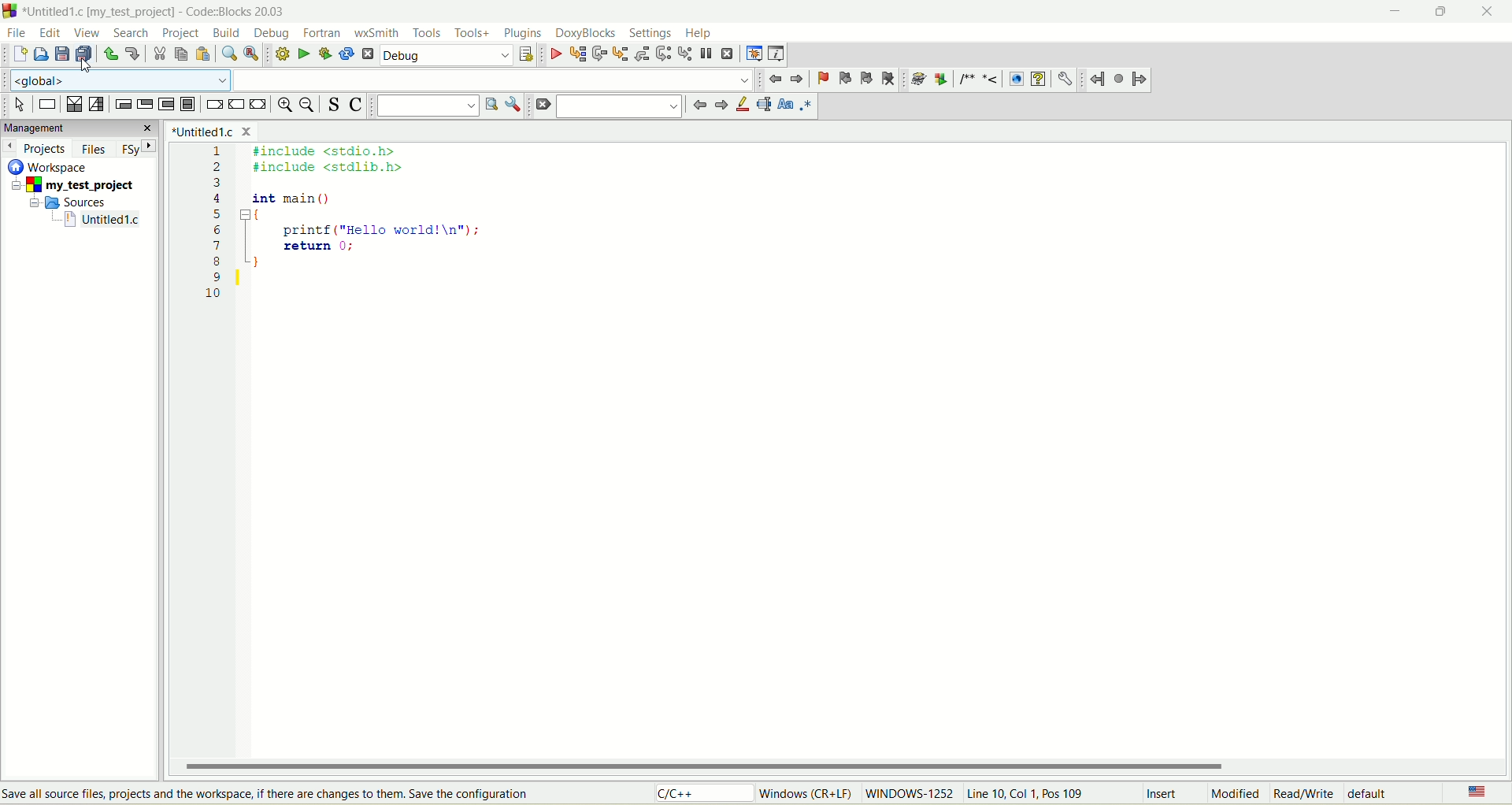 The height and width of the screenshot is (805, 1512). I want to click on Cursor, so click(91, 64).